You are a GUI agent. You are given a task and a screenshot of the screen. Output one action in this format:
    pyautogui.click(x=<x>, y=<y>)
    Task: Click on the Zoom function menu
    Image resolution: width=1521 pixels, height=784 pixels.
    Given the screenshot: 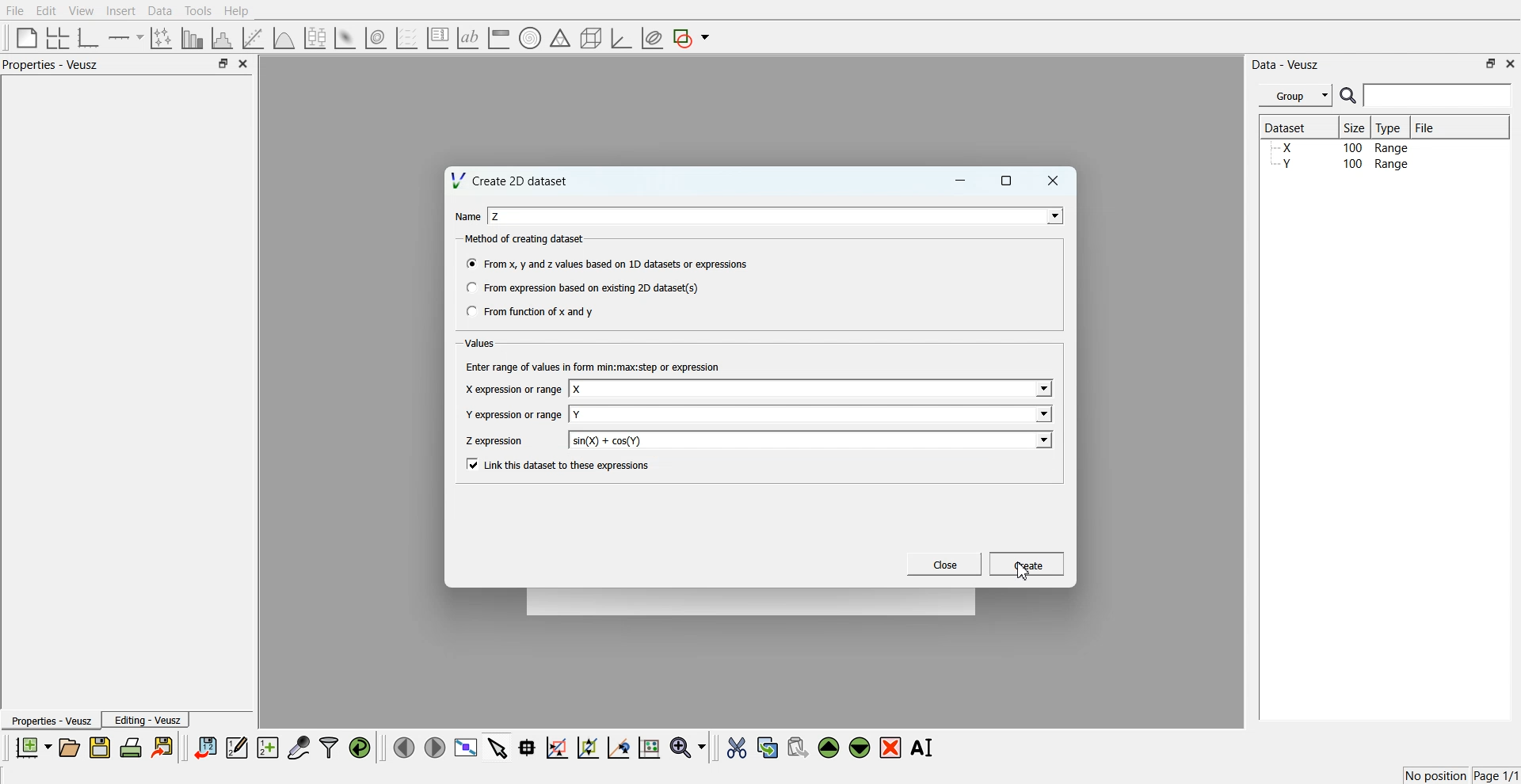 What is the action you would take?
    pyautogui.click(x=690, y=747)
    